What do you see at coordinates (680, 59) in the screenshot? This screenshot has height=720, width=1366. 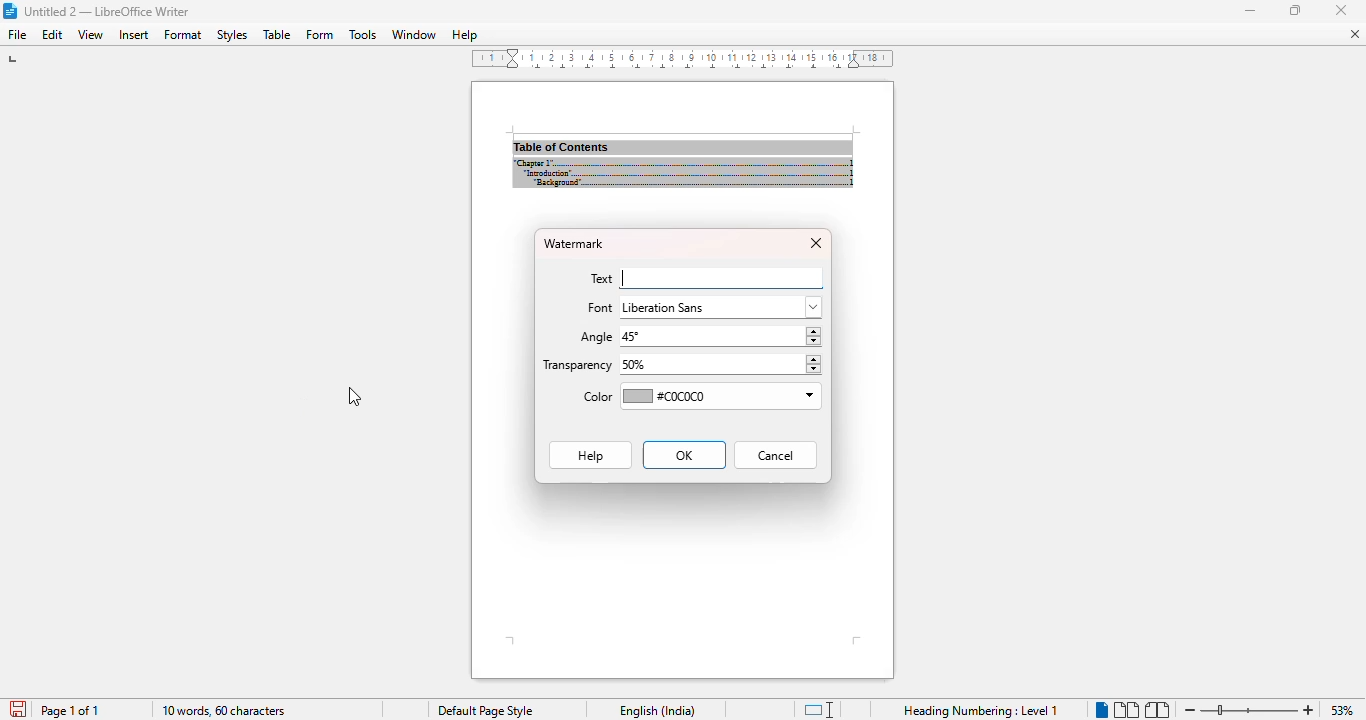 I see `ruler` at bounding box center [680, 59].